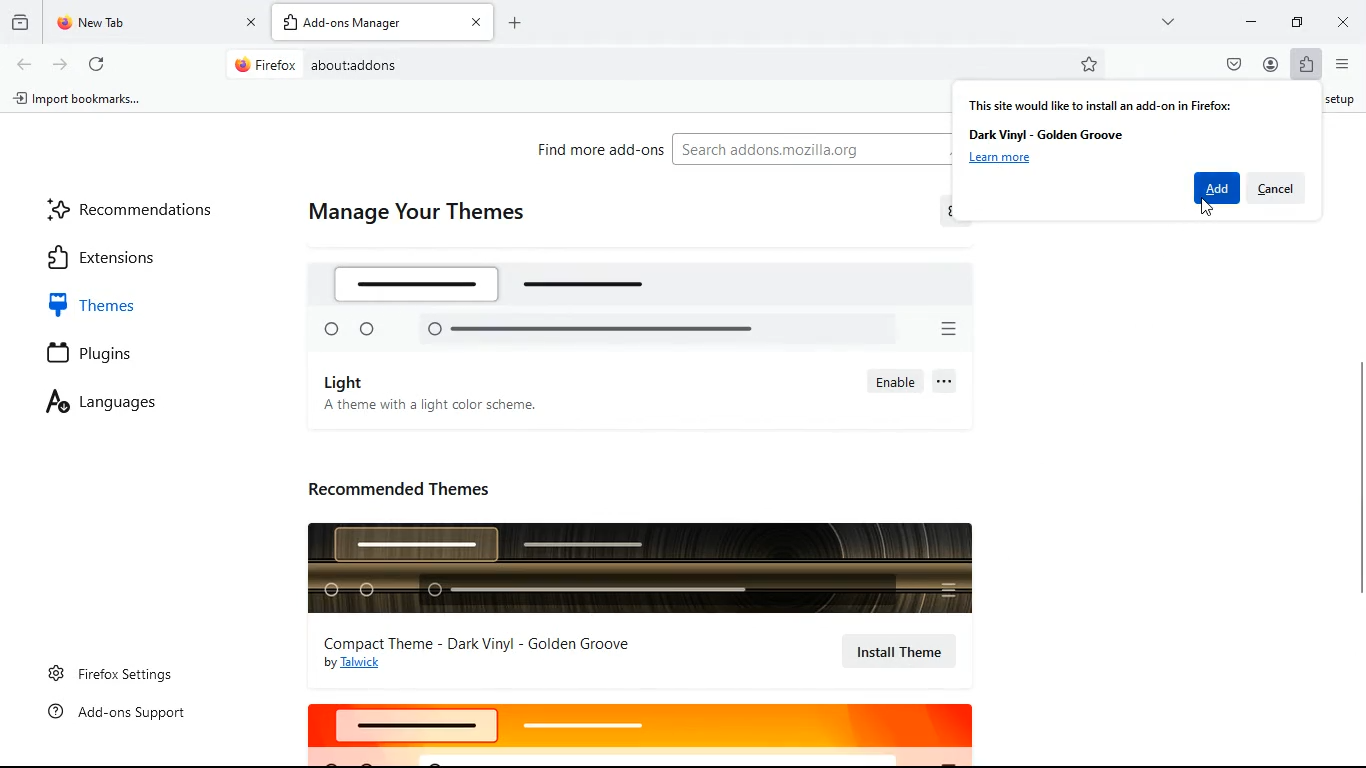  Describe the element at coordinates (20, 22) in the screenshot. I see `history` at that location.